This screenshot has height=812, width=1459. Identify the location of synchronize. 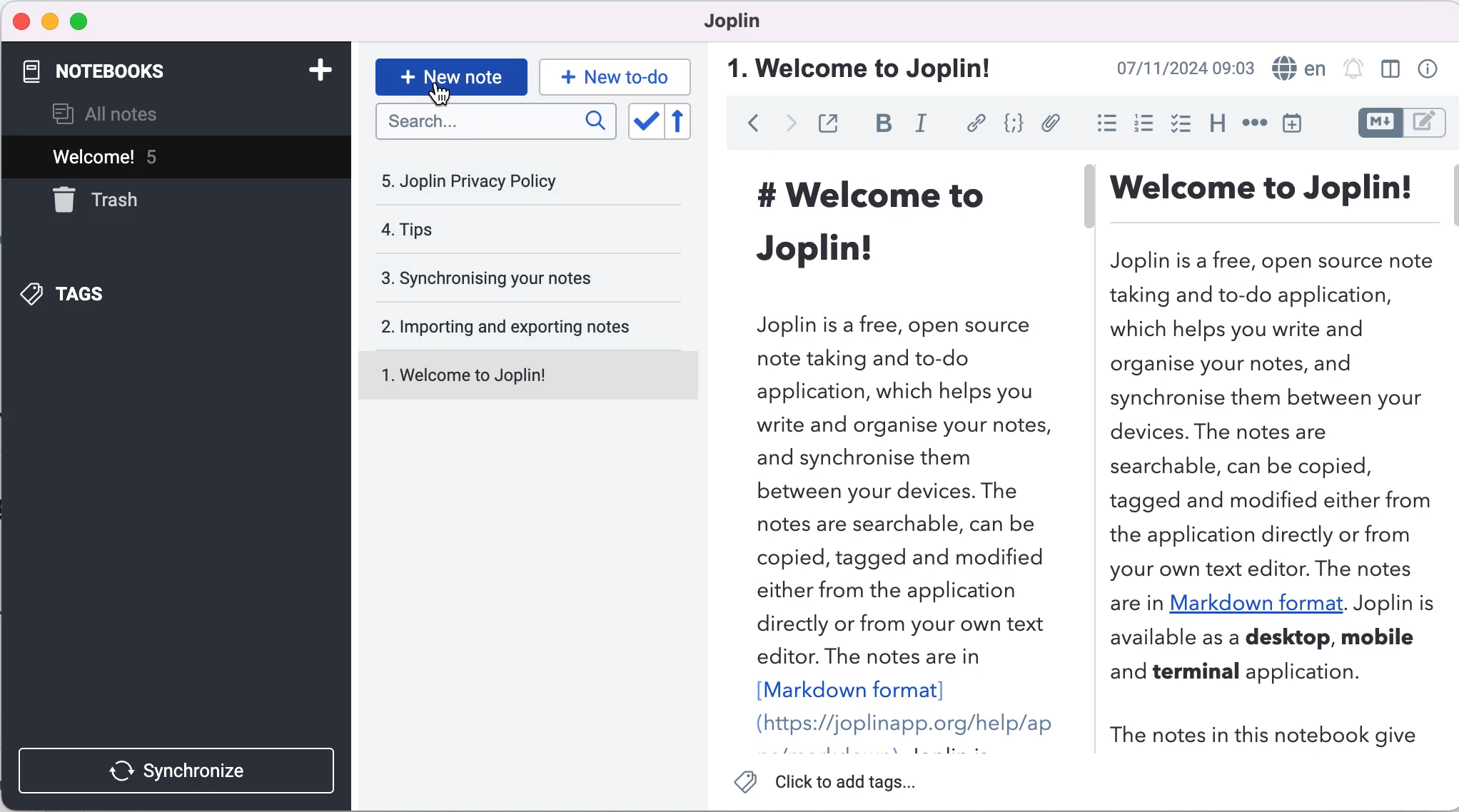
(175, 763).